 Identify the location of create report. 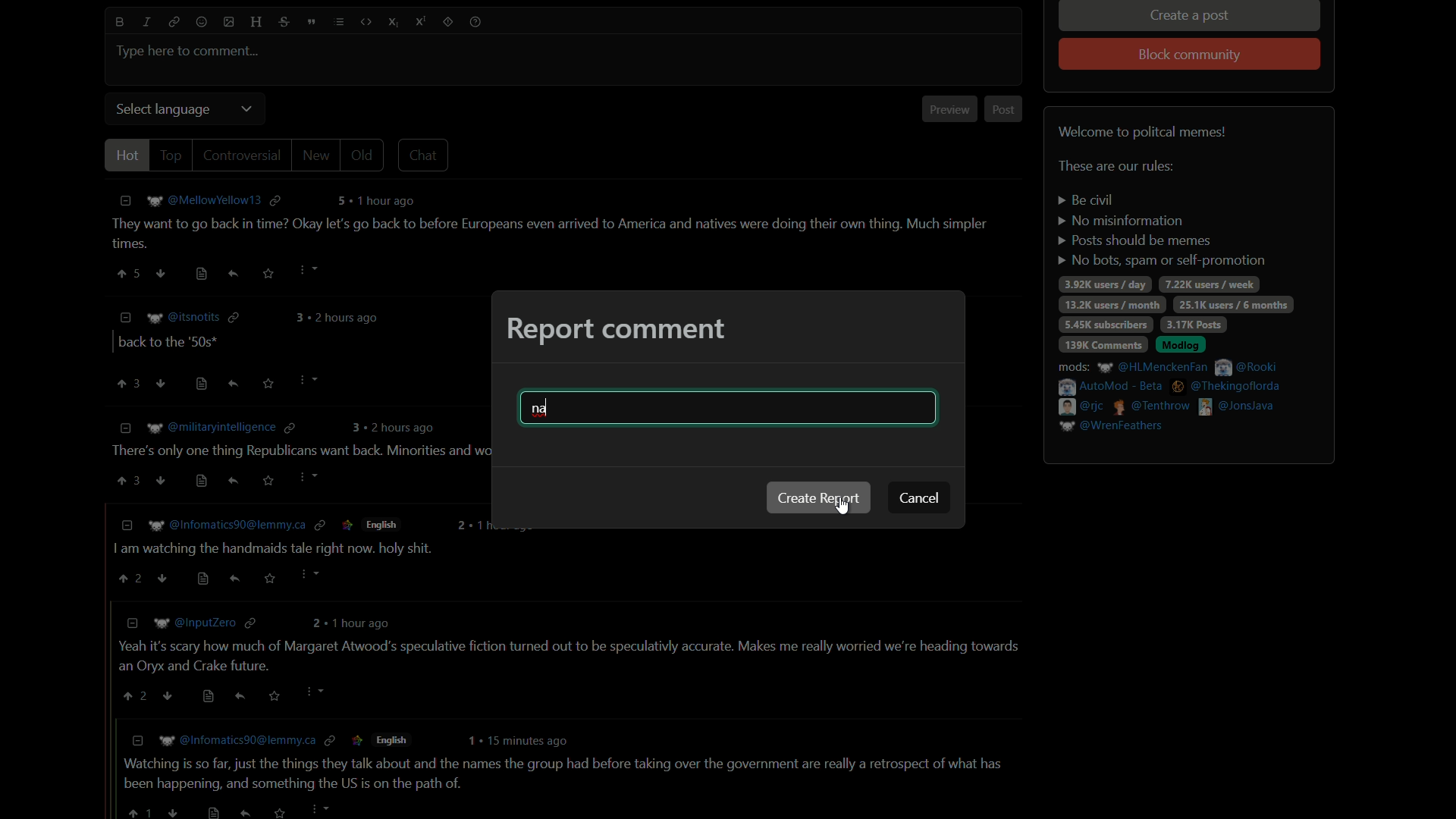
(817, 497).